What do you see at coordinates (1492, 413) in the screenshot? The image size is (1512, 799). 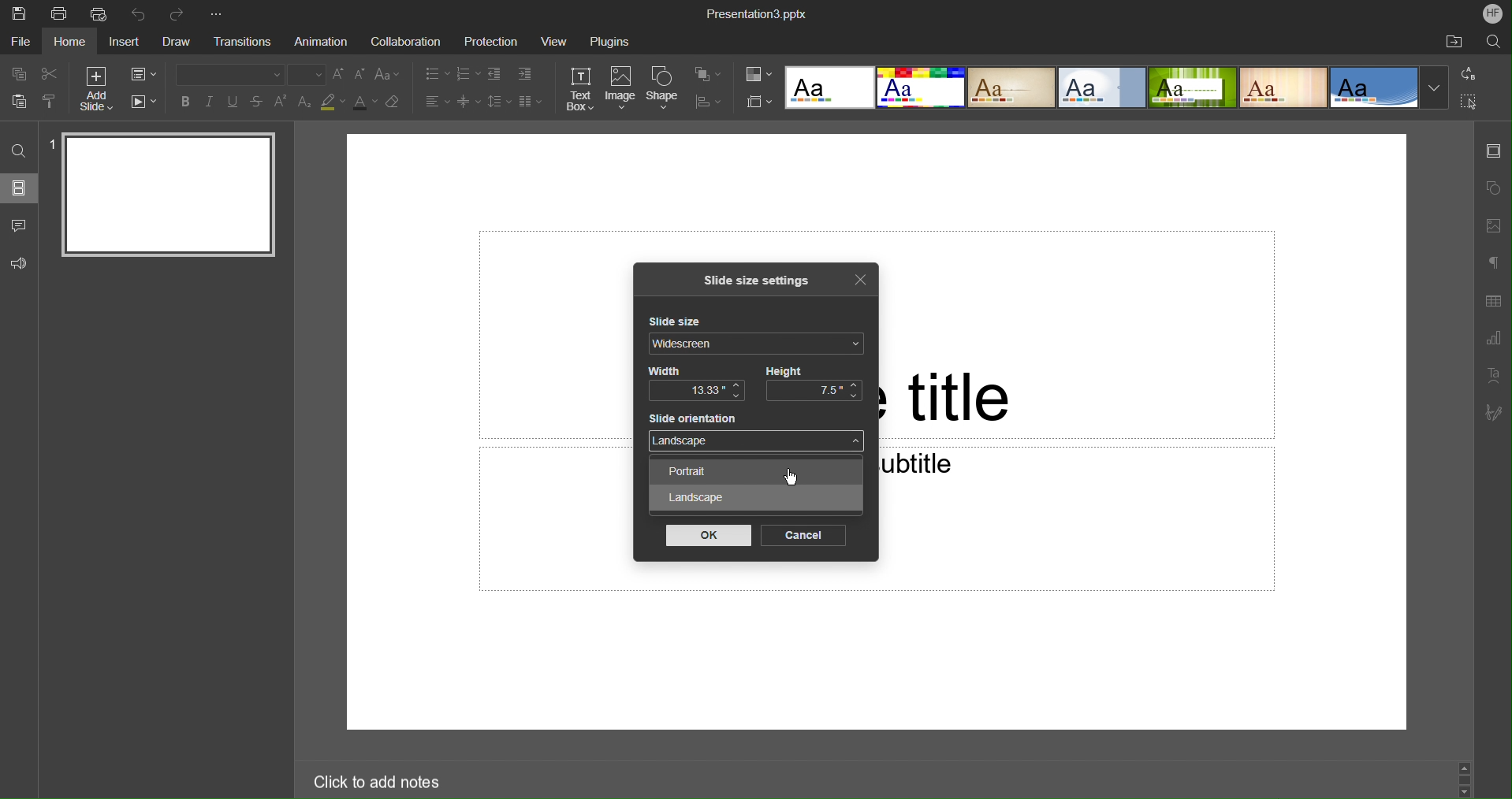 I see `Signature` at bounding box center [1492, 413].